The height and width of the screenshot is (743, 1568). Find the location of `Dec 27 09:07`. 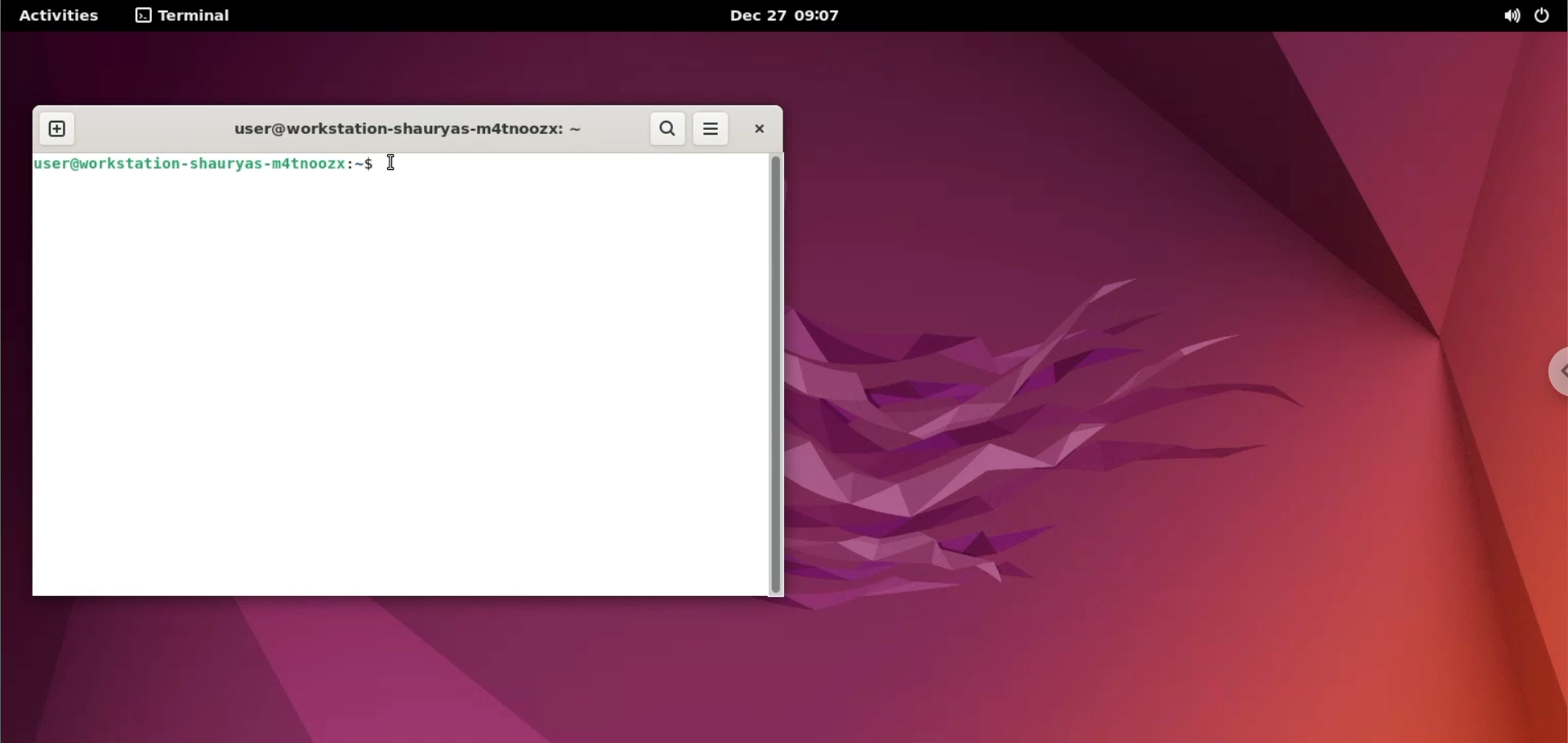

Dec 27 09:07 is located at coordinates (791, 17).